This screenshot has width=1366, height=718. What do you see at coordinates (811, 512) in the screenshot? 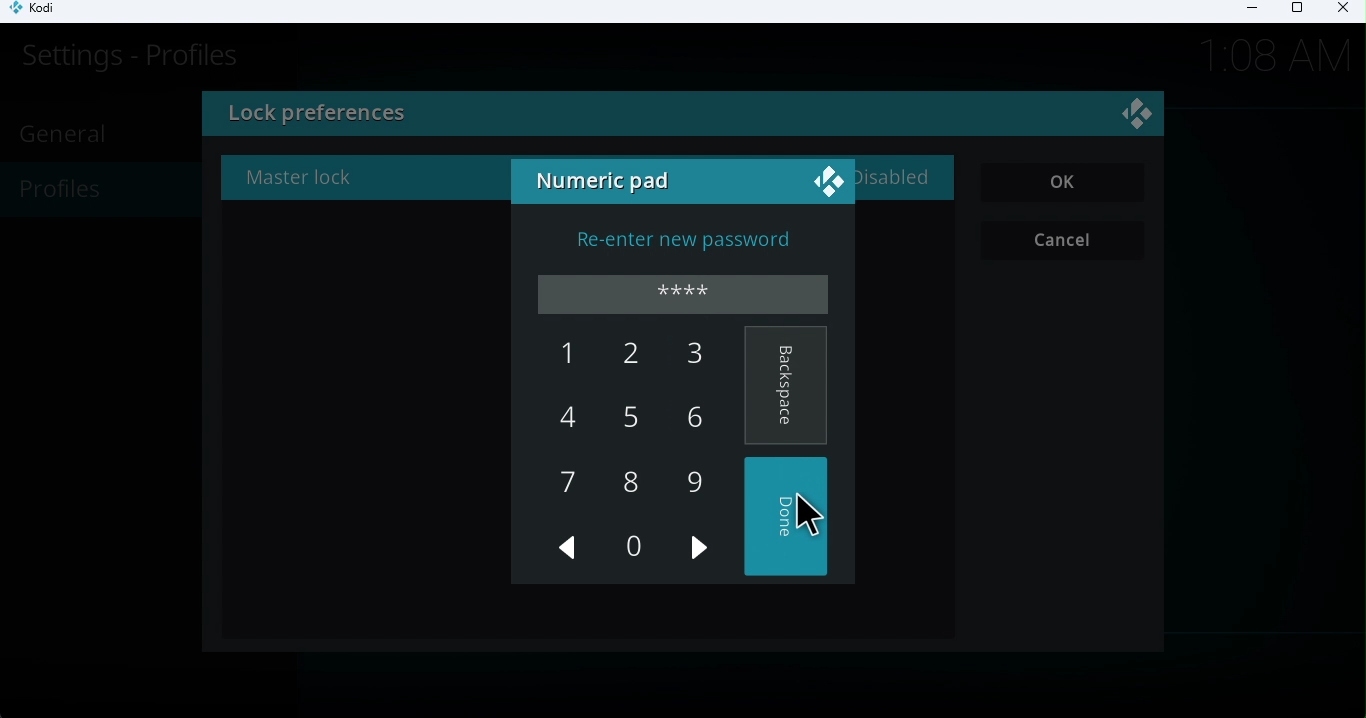
I see `cursor` at bounding box center [811, 512].